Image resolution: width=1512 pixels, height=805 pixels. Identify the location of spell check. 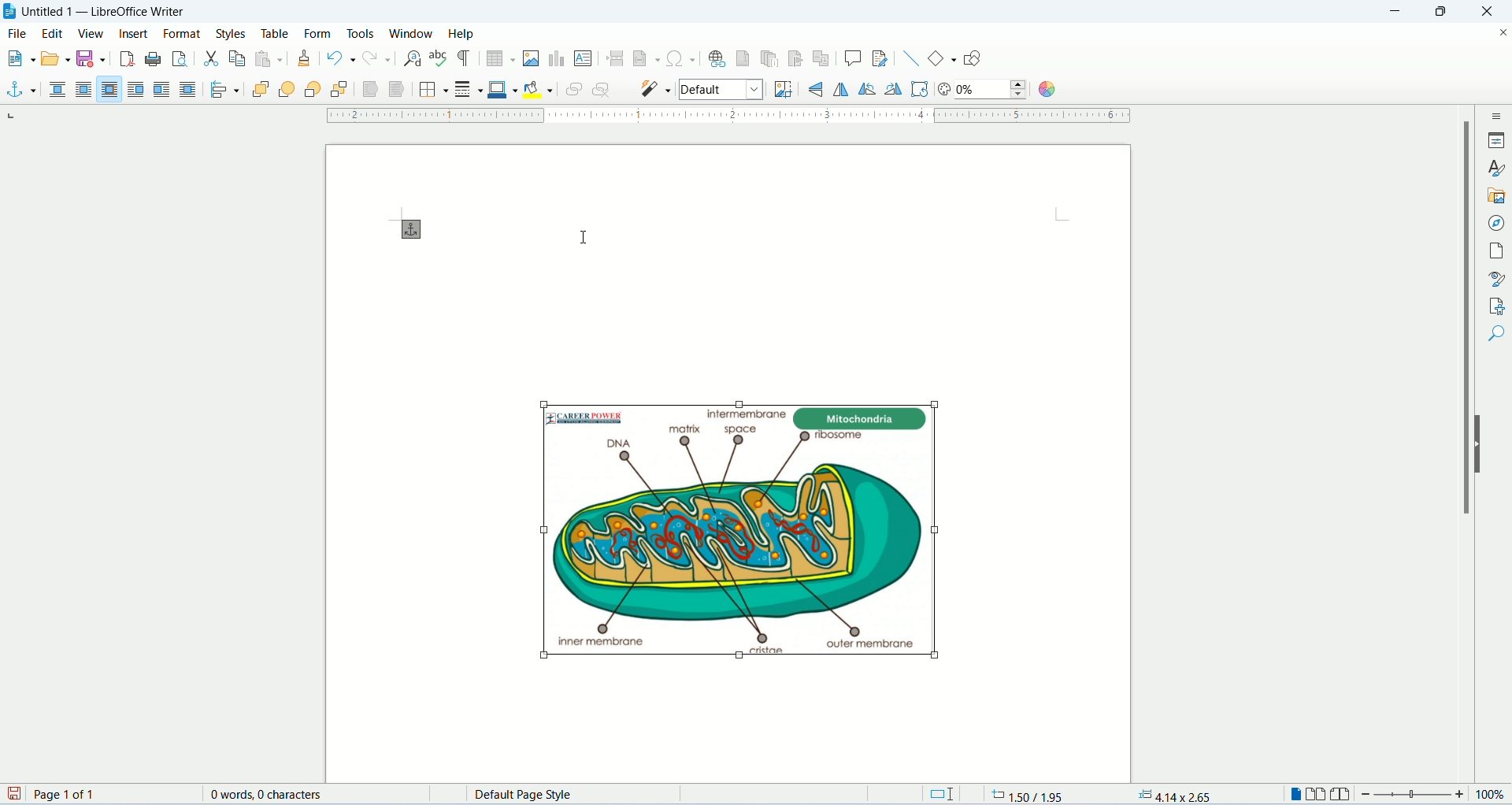
(441, 58).